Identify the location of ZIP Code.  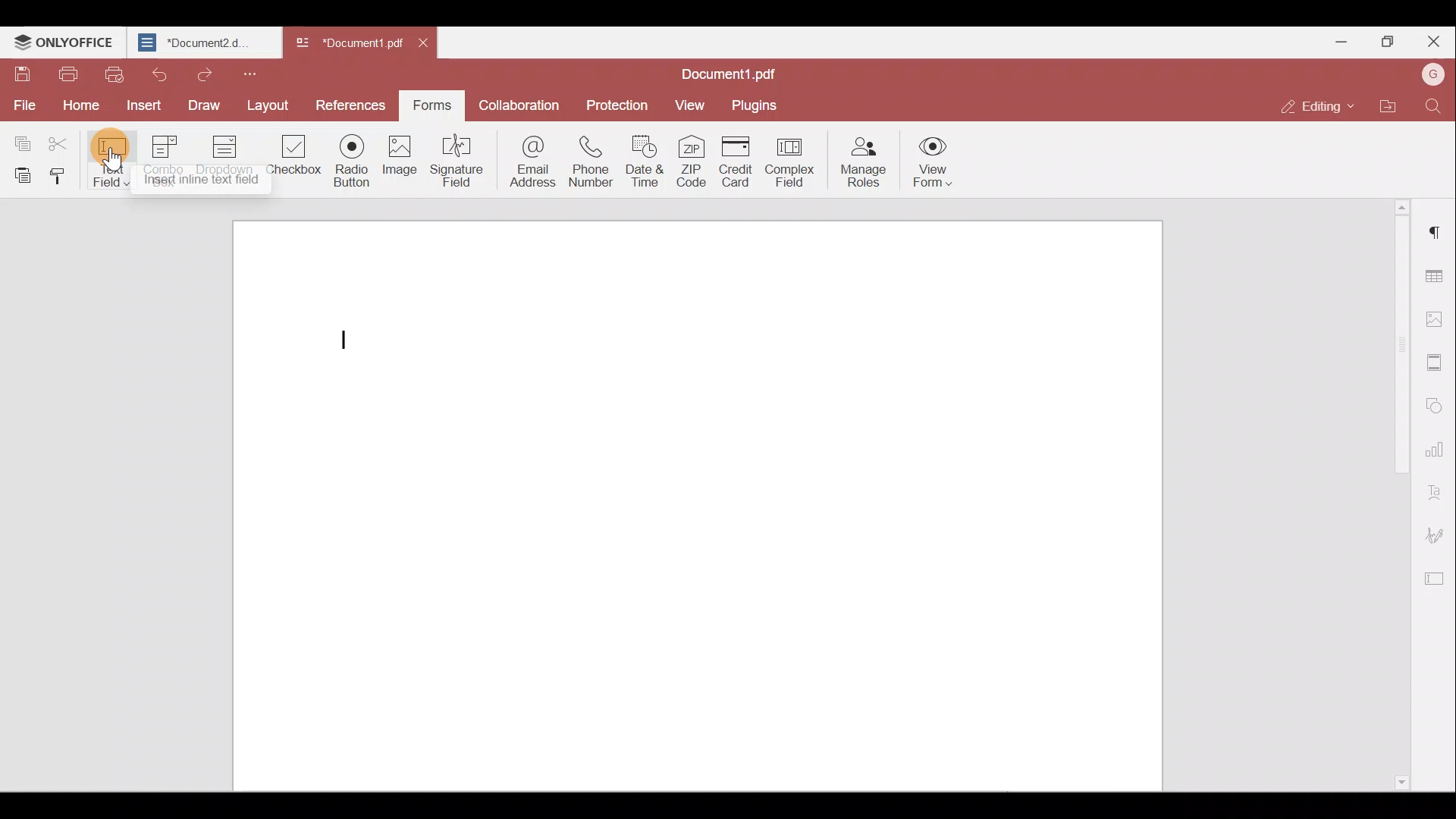
(692, 164).